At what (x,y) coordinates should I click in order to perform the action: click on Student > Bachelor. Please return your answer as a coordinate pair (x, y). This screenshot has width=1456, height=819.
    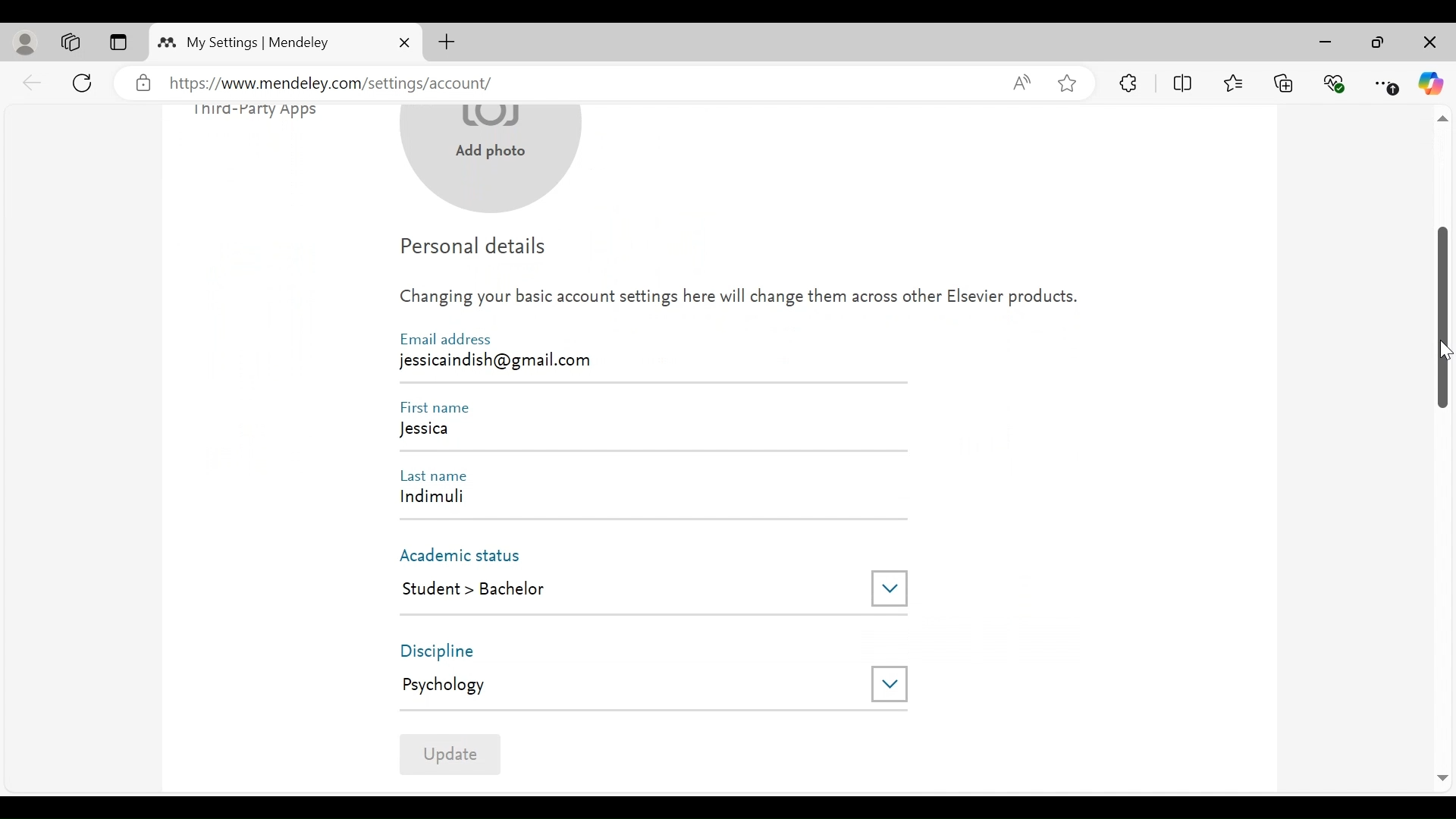
    Looking at the image, I should click on (621, 590).